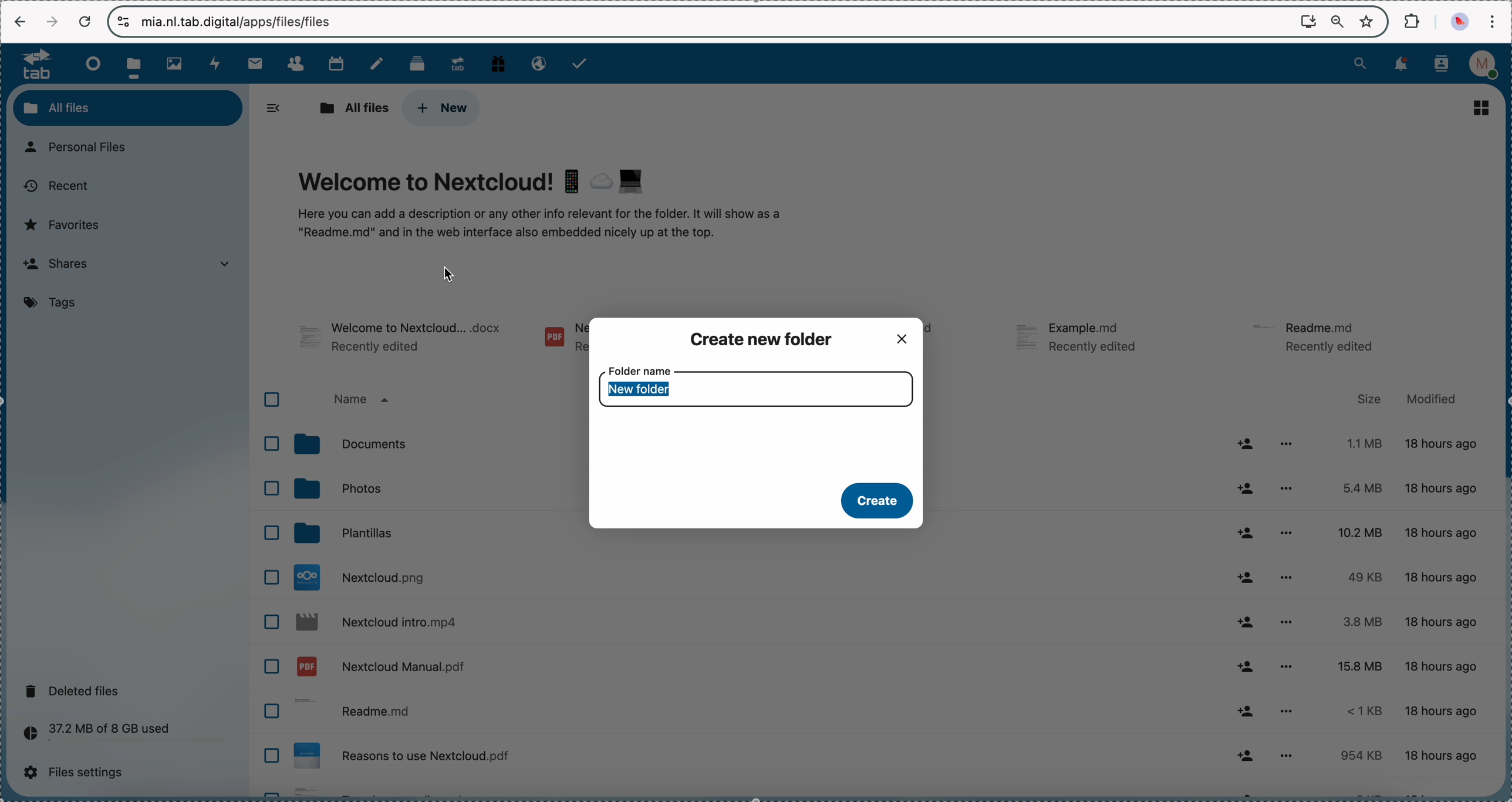 Image resolution: width=1512 pixels, height=802 pixels. Describe the element at coordinates (458, 63) in the screenshot. I see `upgrade` at that location.